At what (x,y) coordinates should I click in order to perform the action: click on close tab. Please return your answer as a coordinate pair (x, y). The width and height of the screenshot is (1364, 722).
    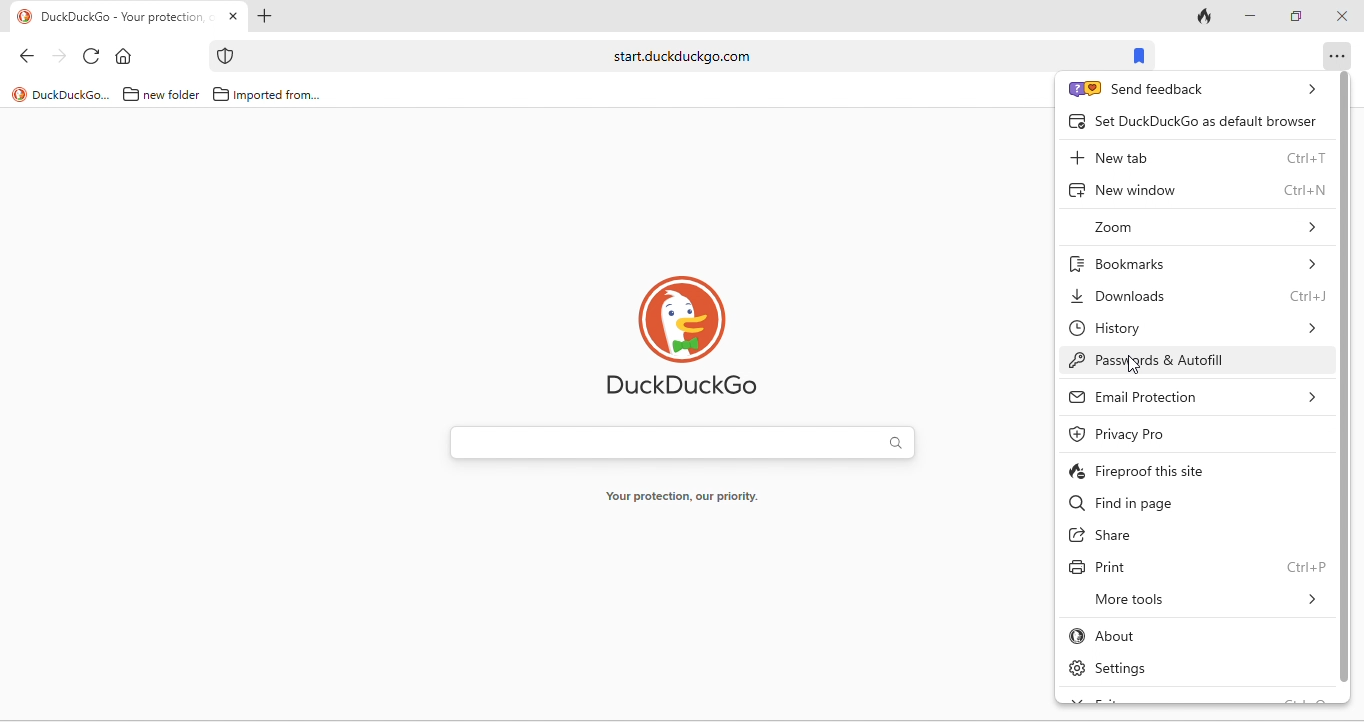
    Looking at the image, I should click on (233, 17).